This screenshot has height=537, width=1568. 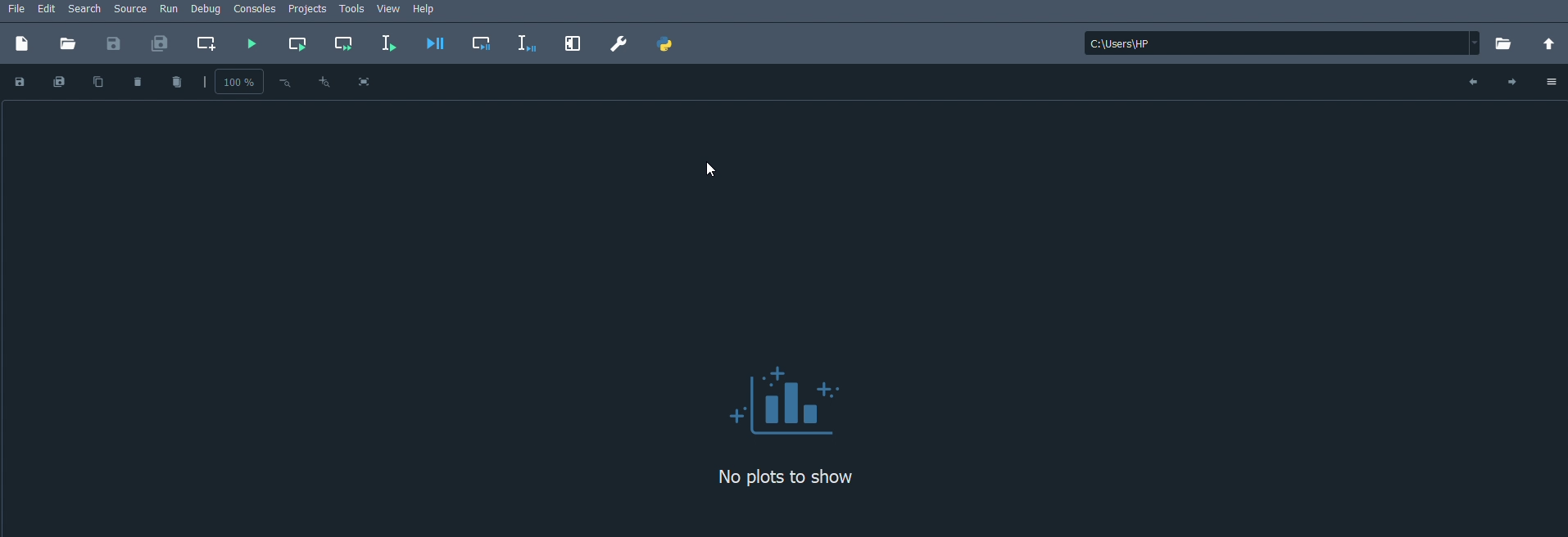 I want to click on Debug, so click(x=206, y=10).